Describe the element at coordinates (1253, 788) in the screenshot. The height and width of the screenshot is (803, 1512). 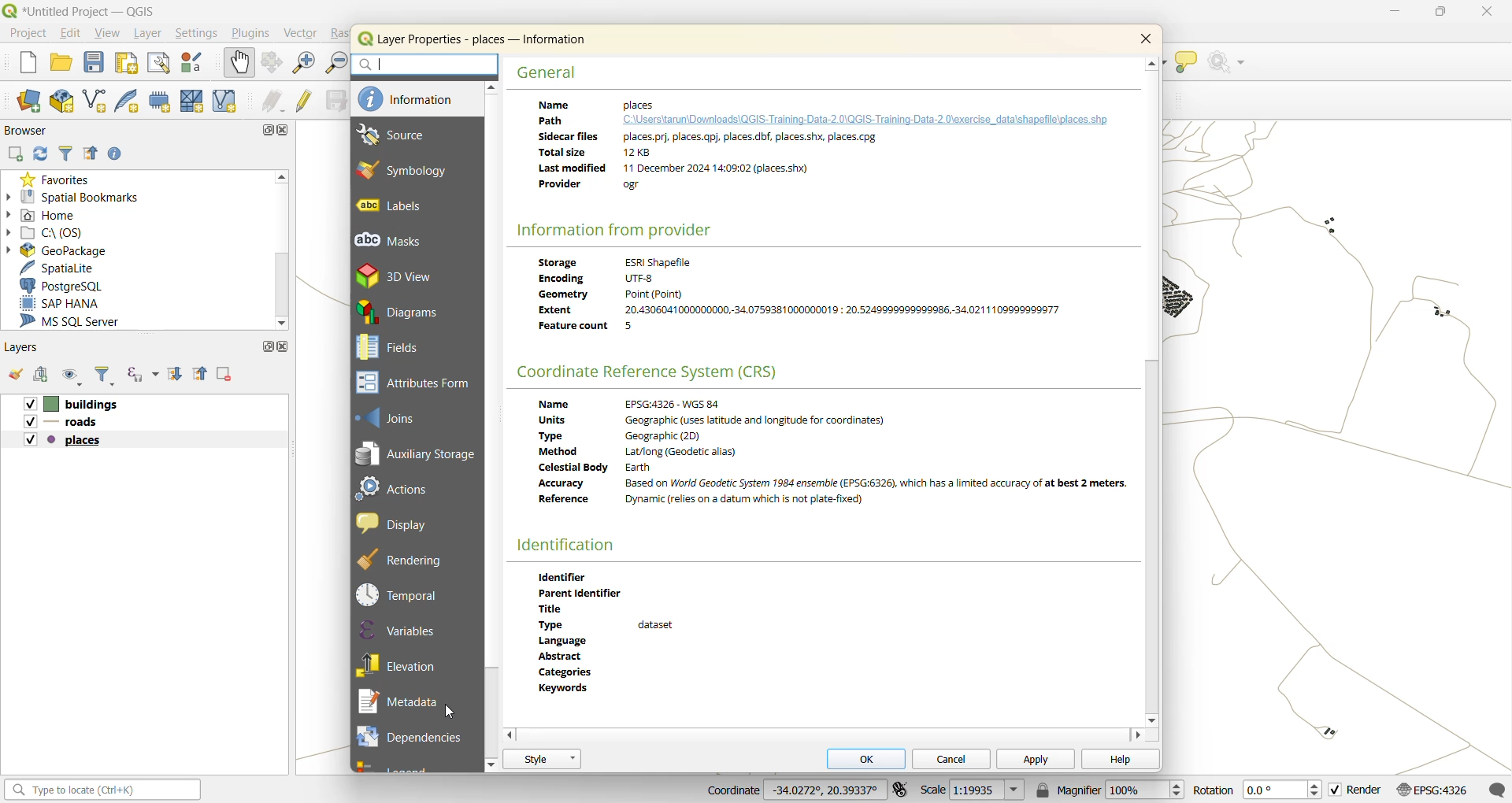
I see `rotation` at that location.